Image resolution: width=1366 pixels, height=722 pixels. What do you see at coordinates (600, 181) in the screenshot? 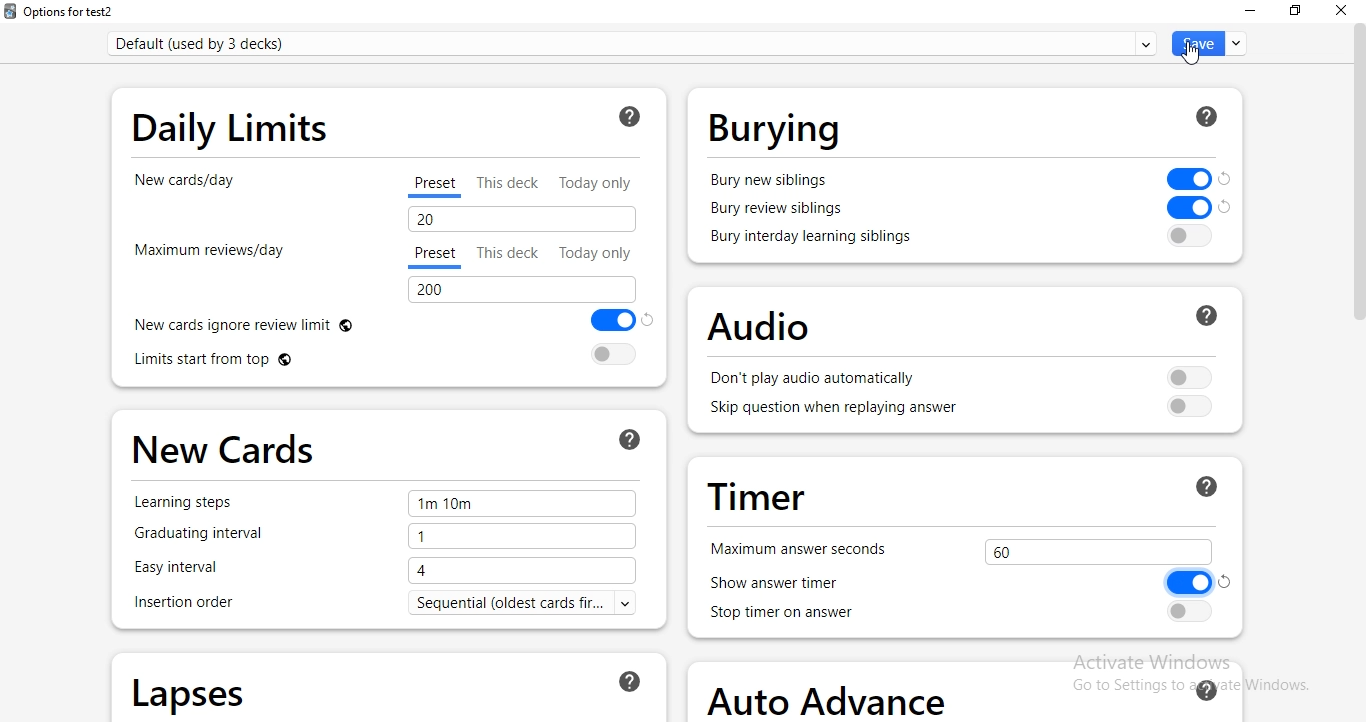
I see `today only` at bounding box center [600, 181].